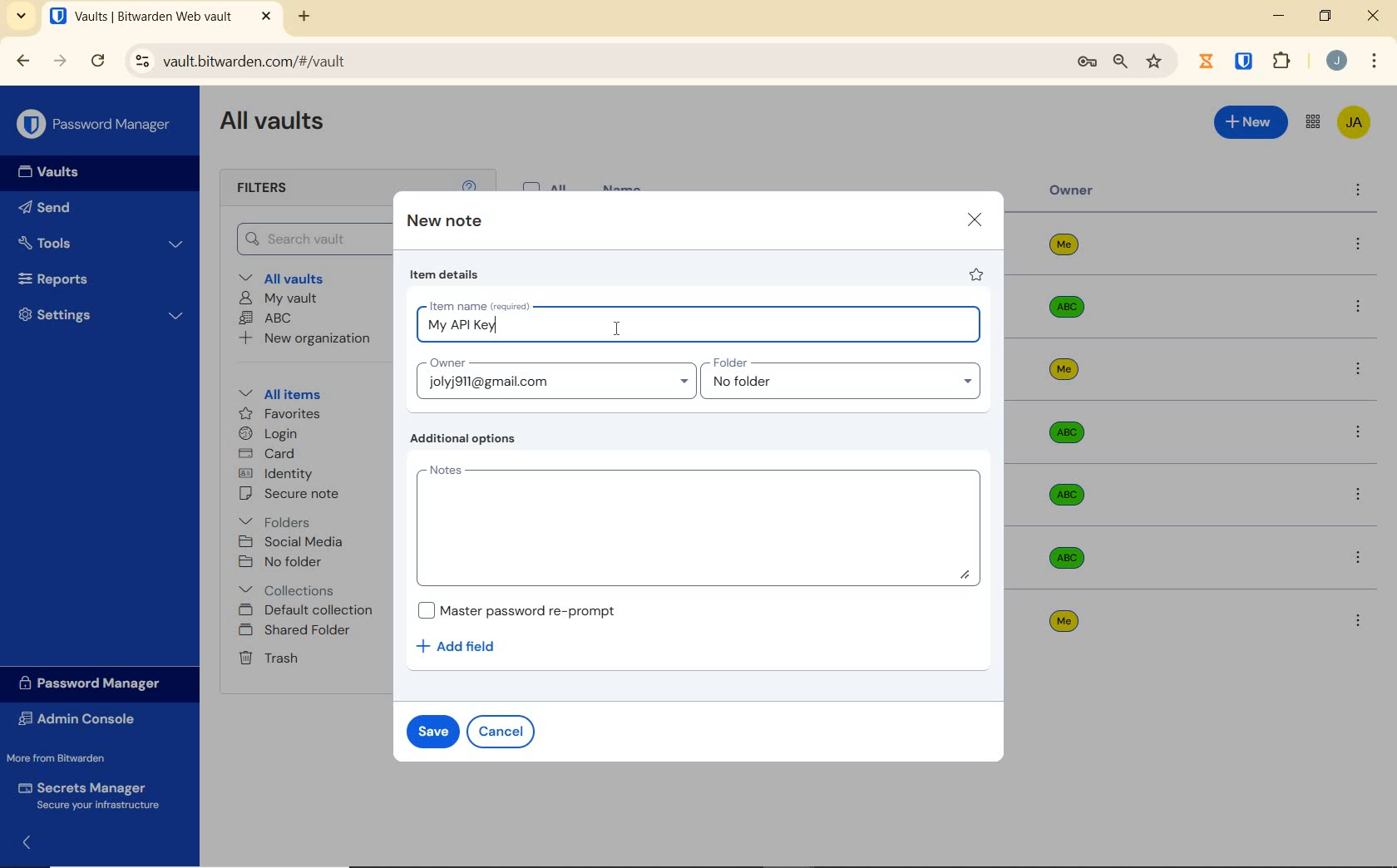 The width and height of the screenshot is (1397, 868). Describe the element at coordinates (504, 731) in the screenshot. I see `cancel` at that location.